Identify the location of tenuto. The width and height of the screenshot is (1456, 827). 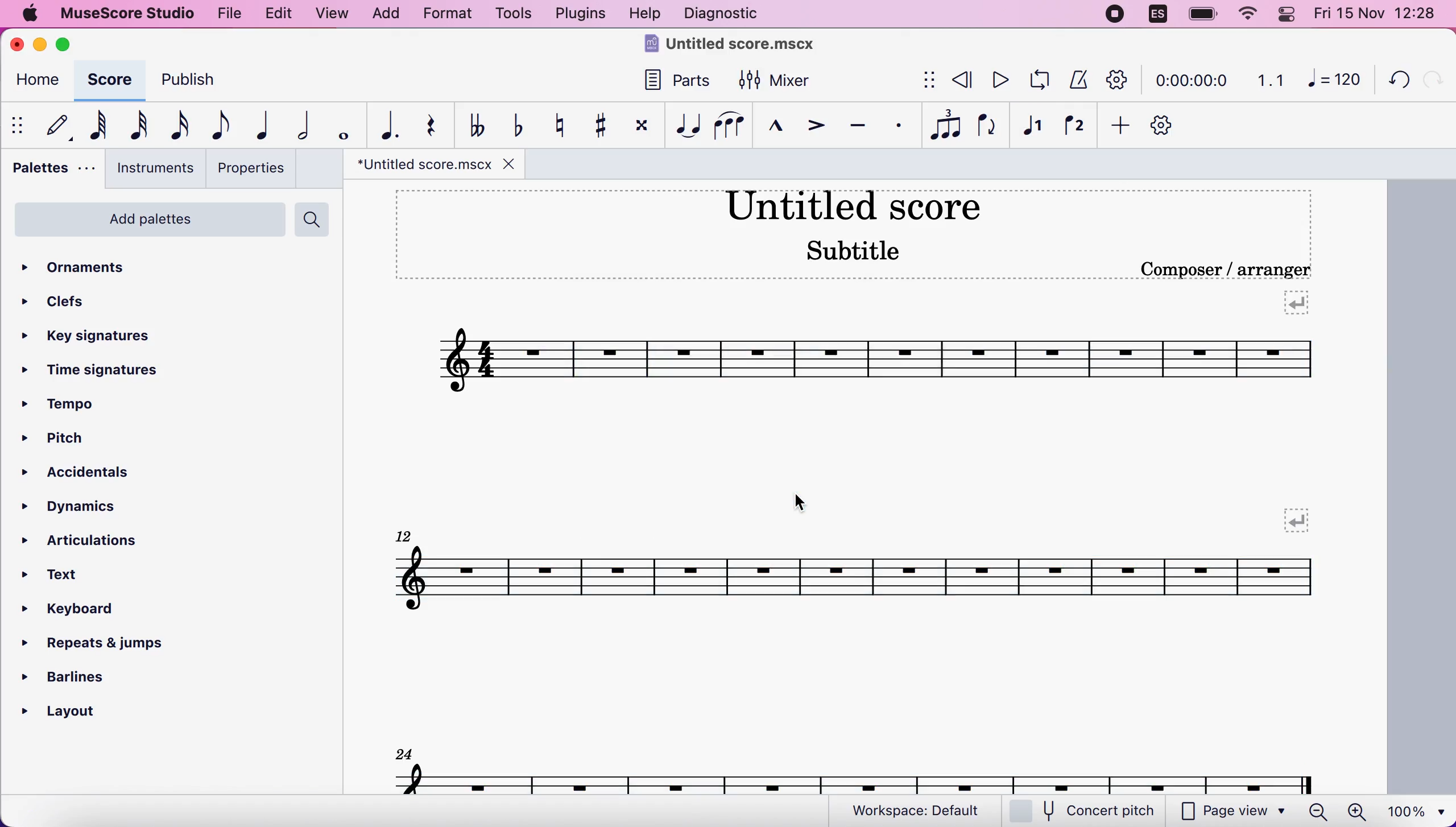
(857, 126).